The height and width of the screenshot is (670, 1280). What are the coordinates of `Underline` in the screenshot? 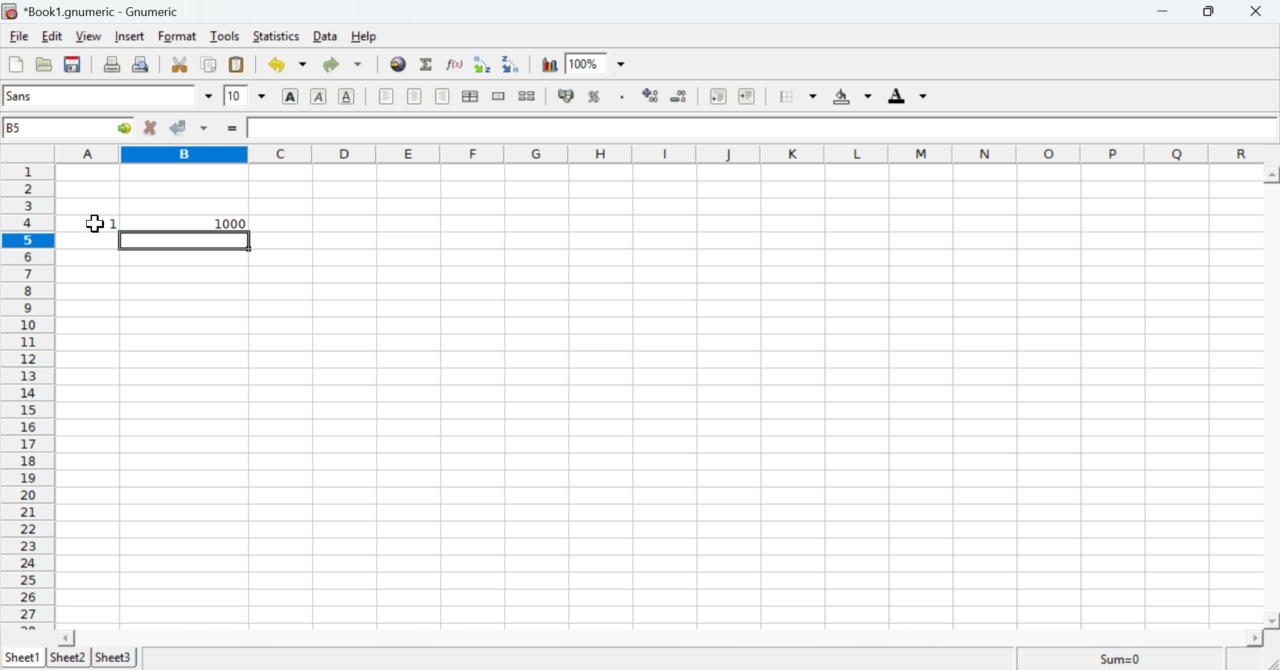 It's located at (350, 97).